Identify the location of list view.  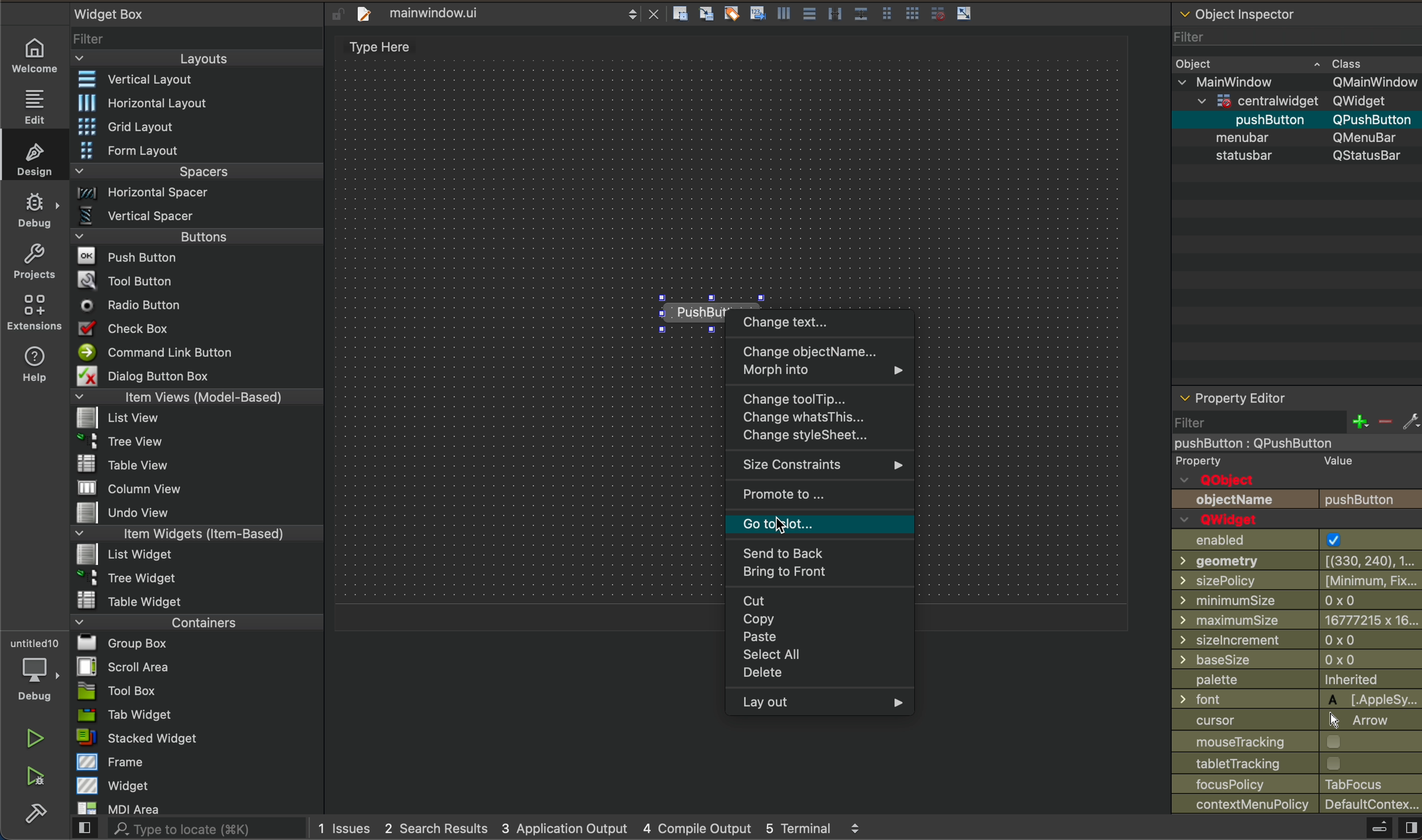
(198, 418).